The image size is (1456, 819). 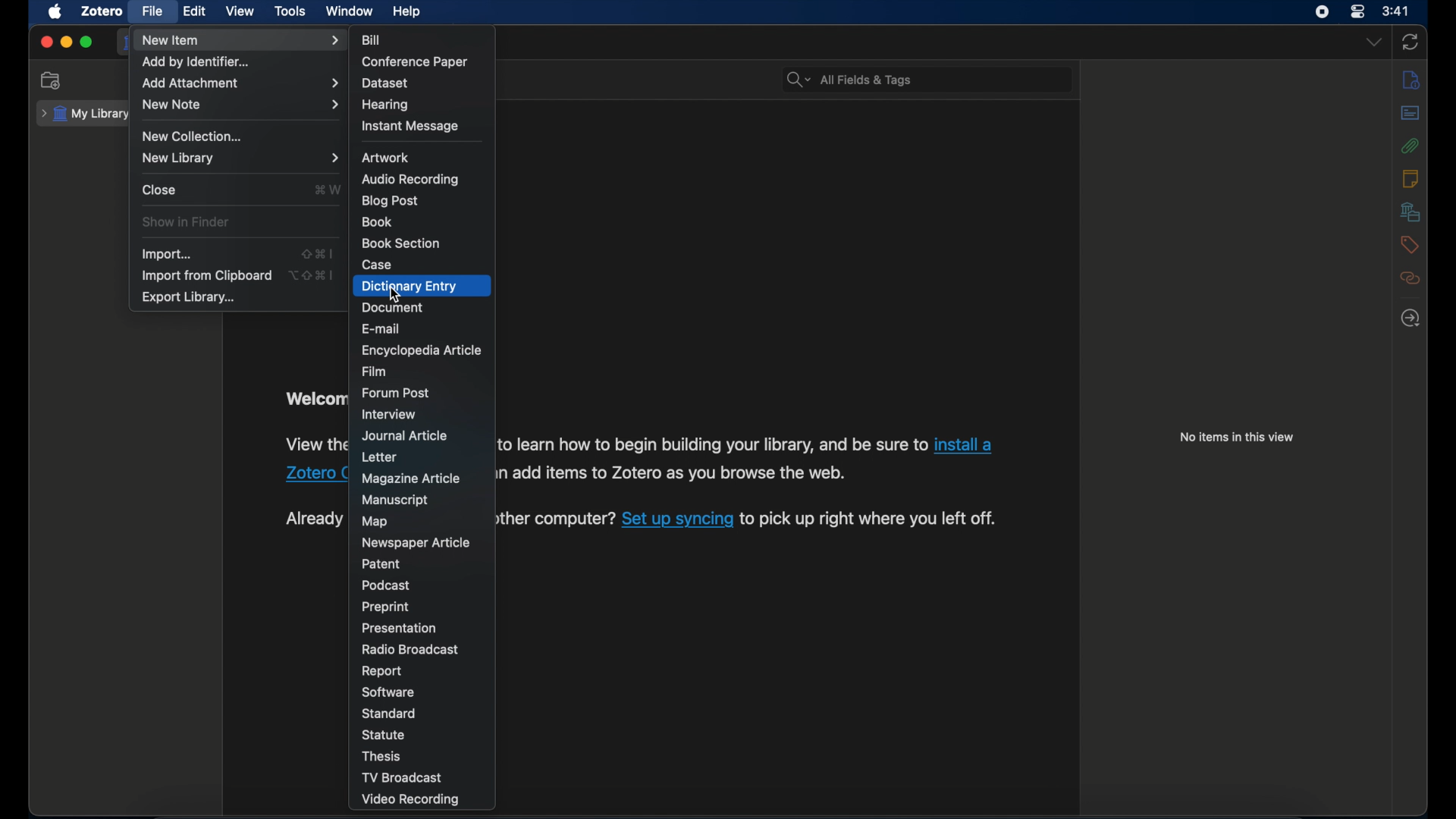 I want to click on text, so click(x=871, y=519).